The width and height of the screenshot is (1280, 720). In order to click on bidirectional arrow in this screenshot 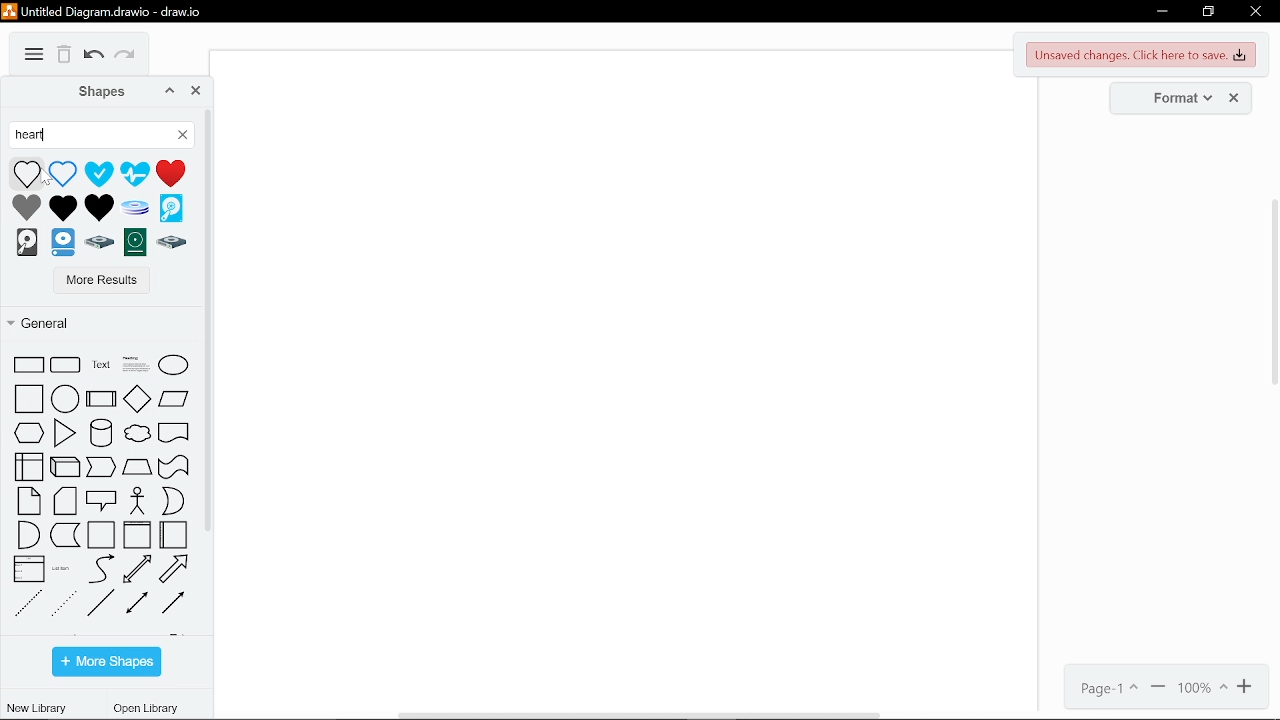, I will do `click(139, 569)`.